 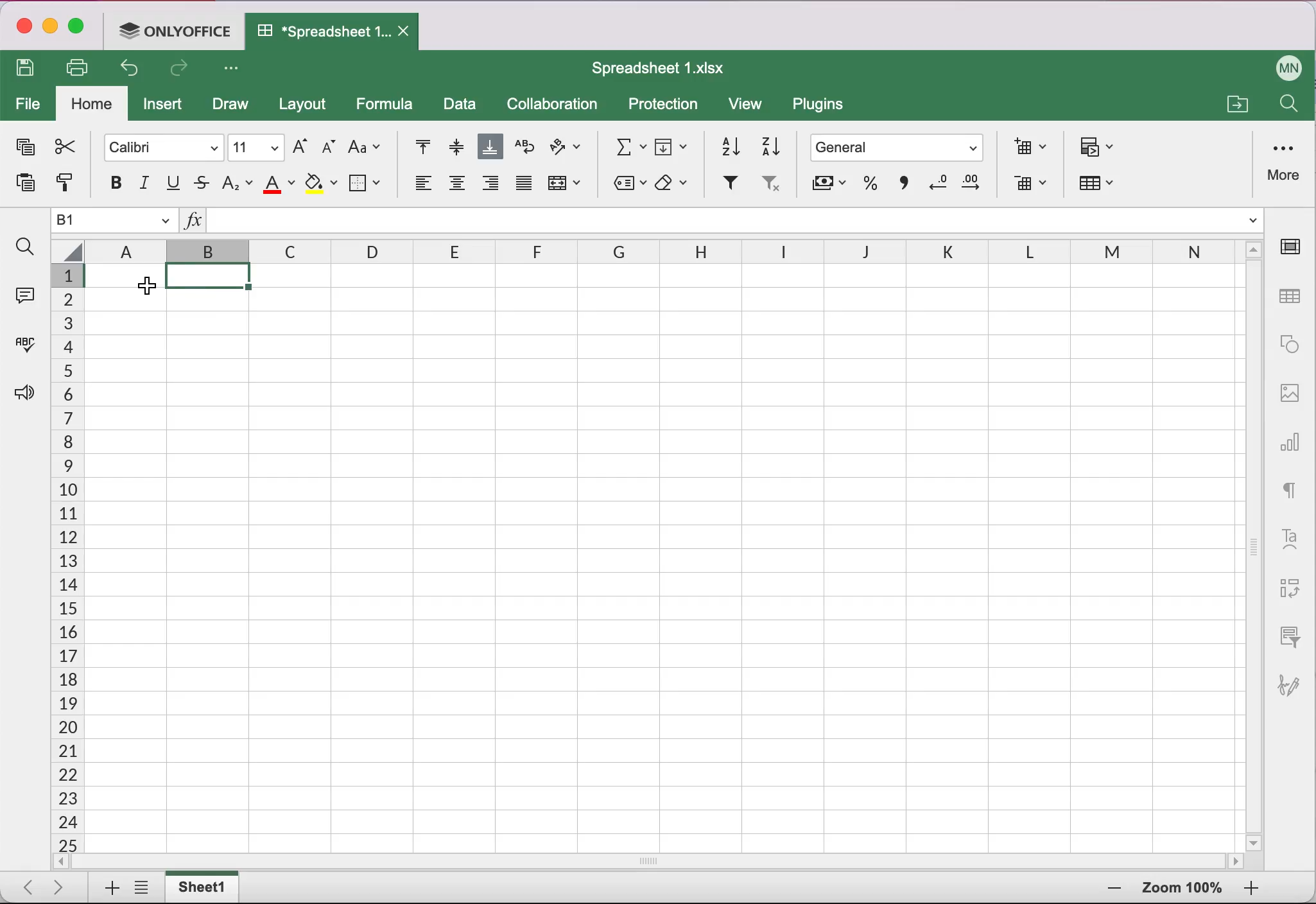 I want to click on add sheet, so click(x=106, y=889).